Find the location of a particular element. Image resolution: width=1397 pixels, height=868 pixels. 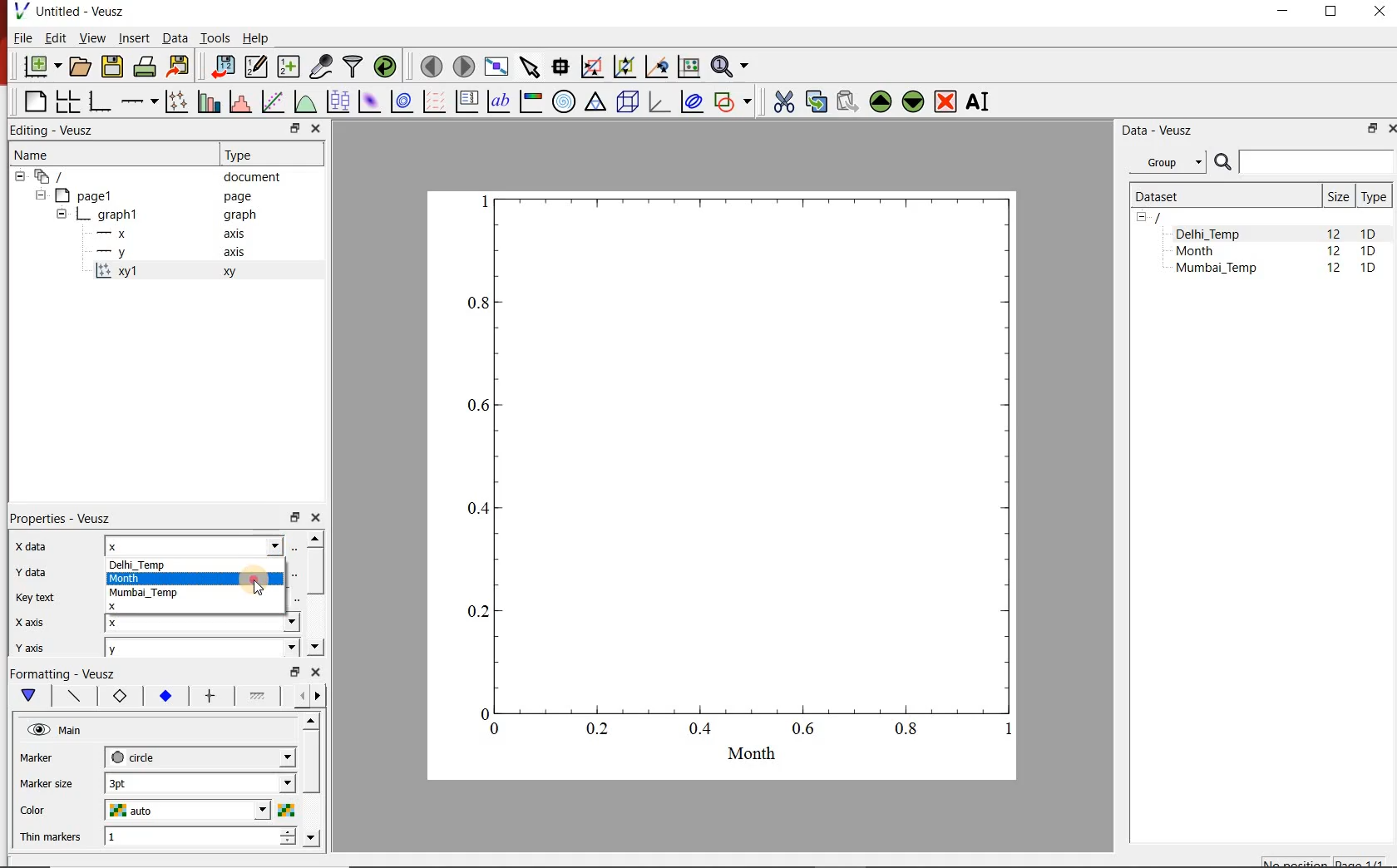

Page1 is located at coordinates (145, 195).